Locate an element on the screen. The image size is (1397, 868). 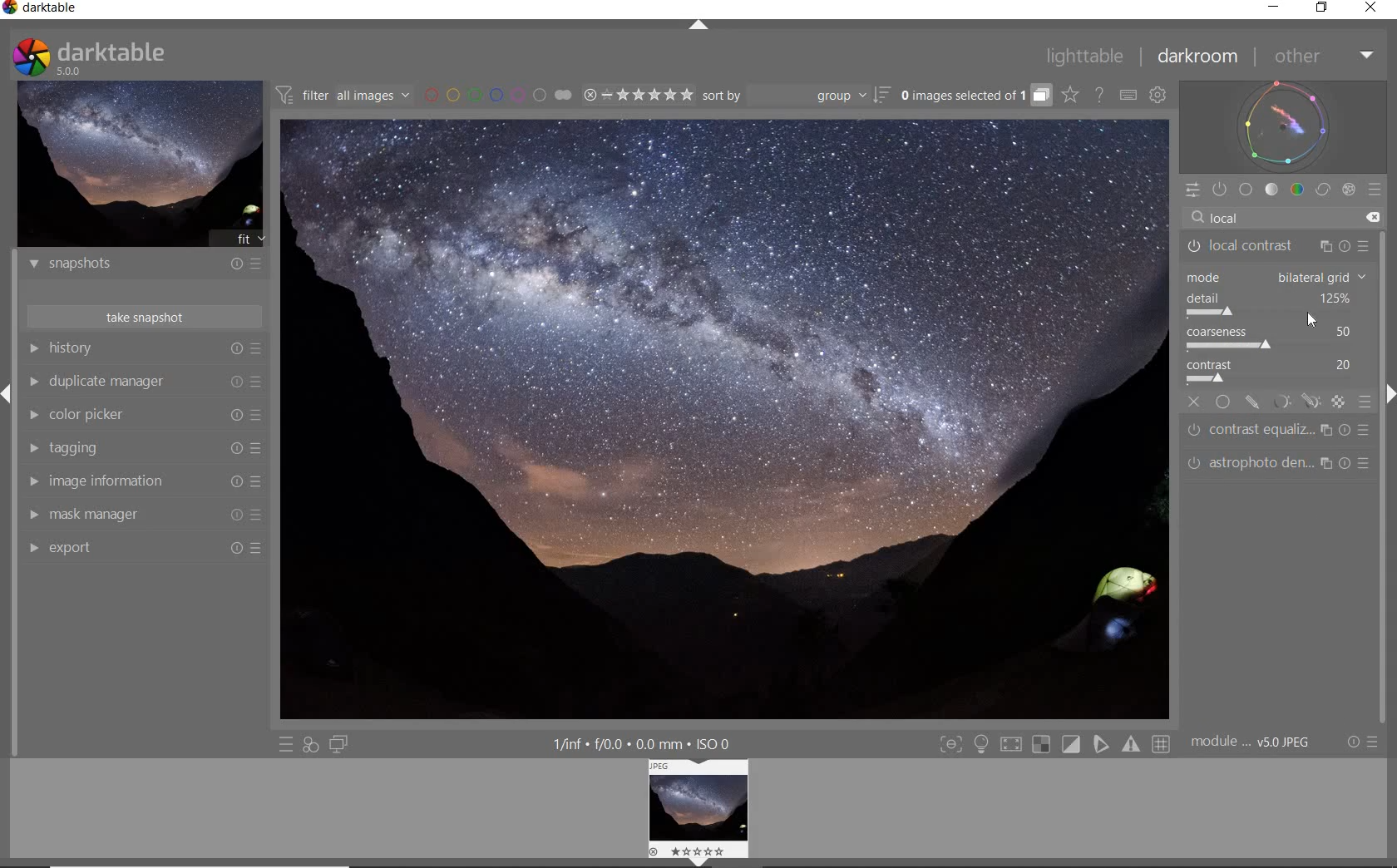
contrast slider is located at coordinates (1231, 379).